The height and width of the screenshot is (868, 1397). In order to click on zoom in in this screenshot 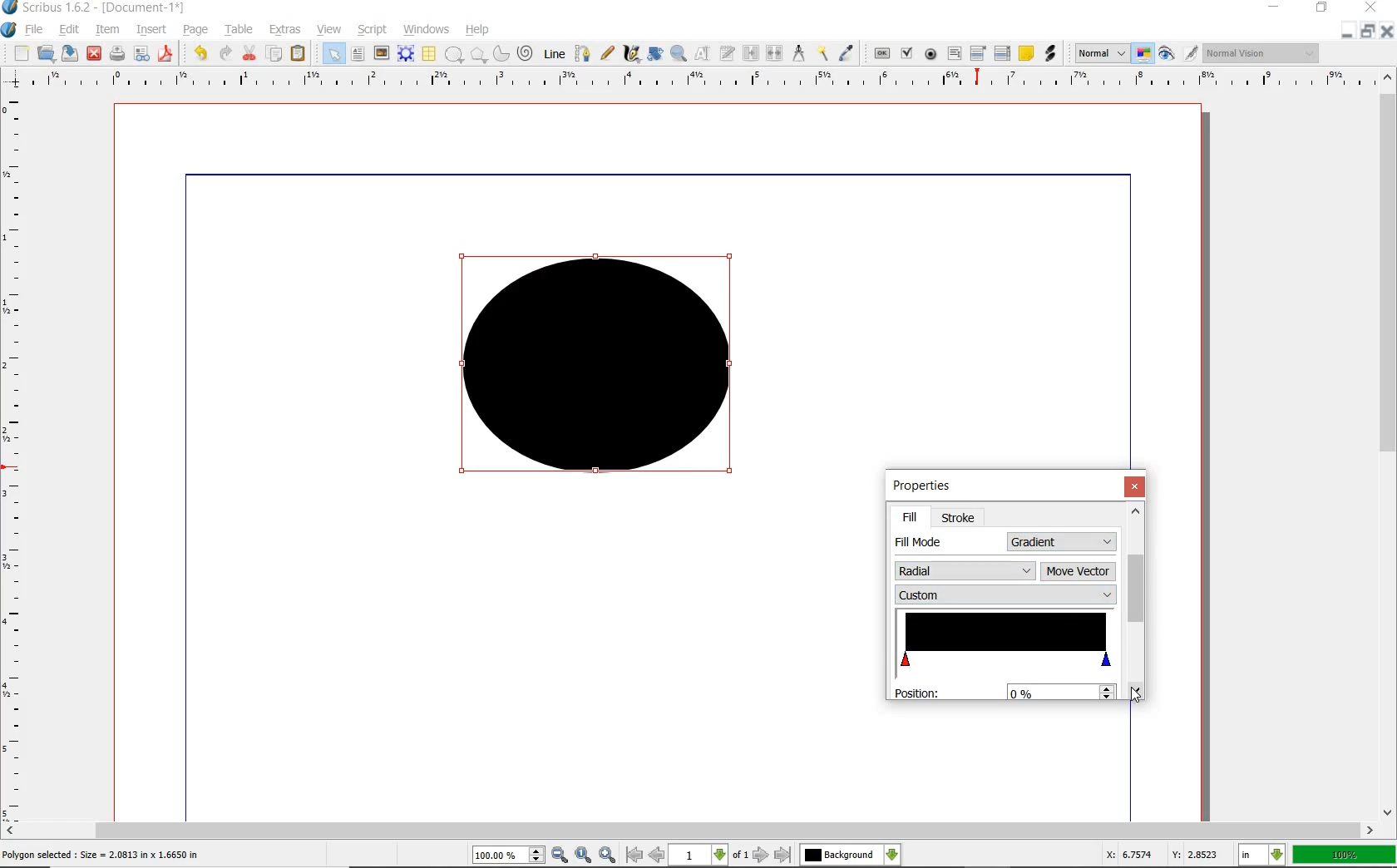, I will do `click(560, 856)`.